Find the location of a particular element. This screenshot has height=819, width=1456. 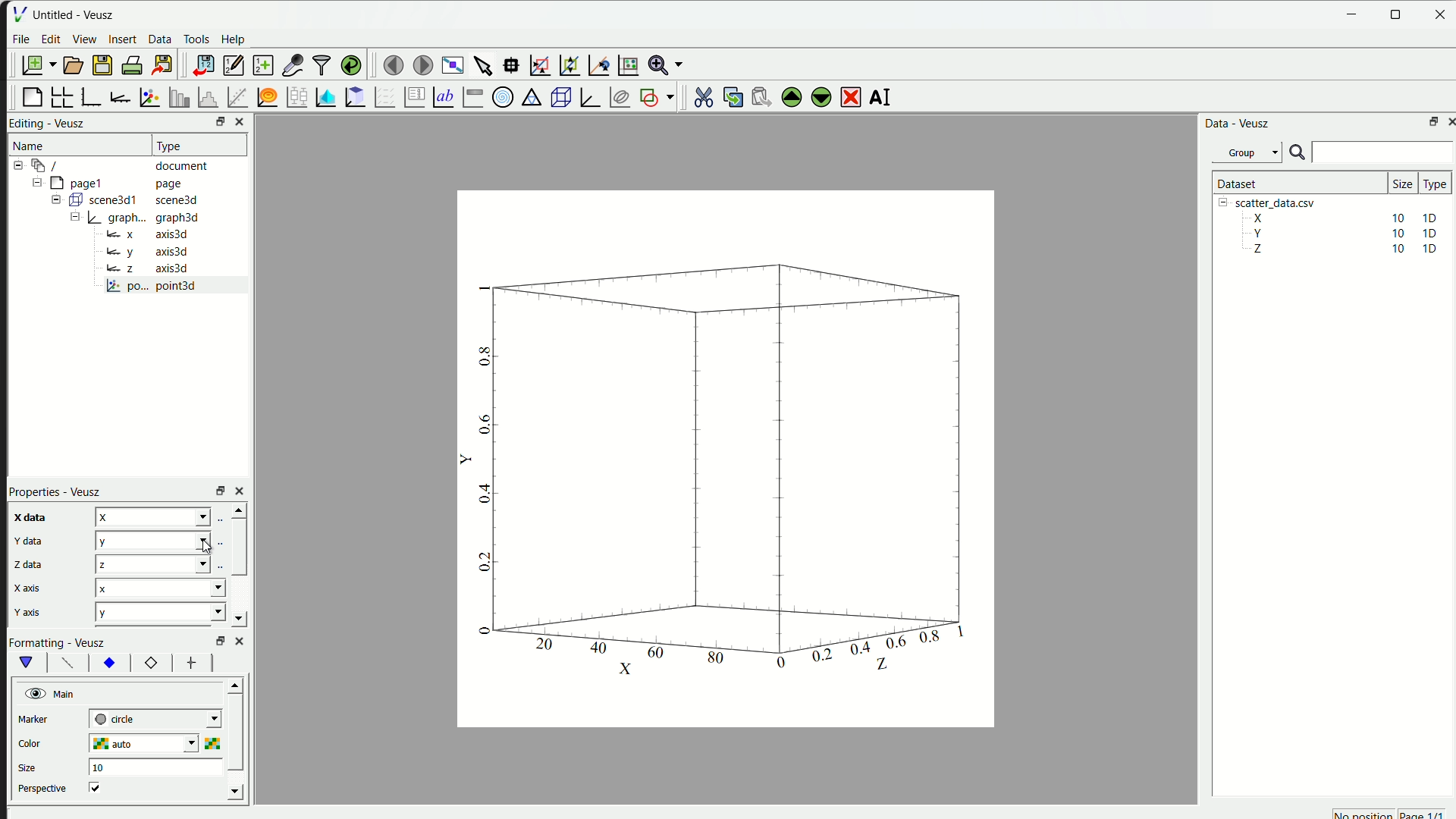

new document is located at coordinates (35, 64).